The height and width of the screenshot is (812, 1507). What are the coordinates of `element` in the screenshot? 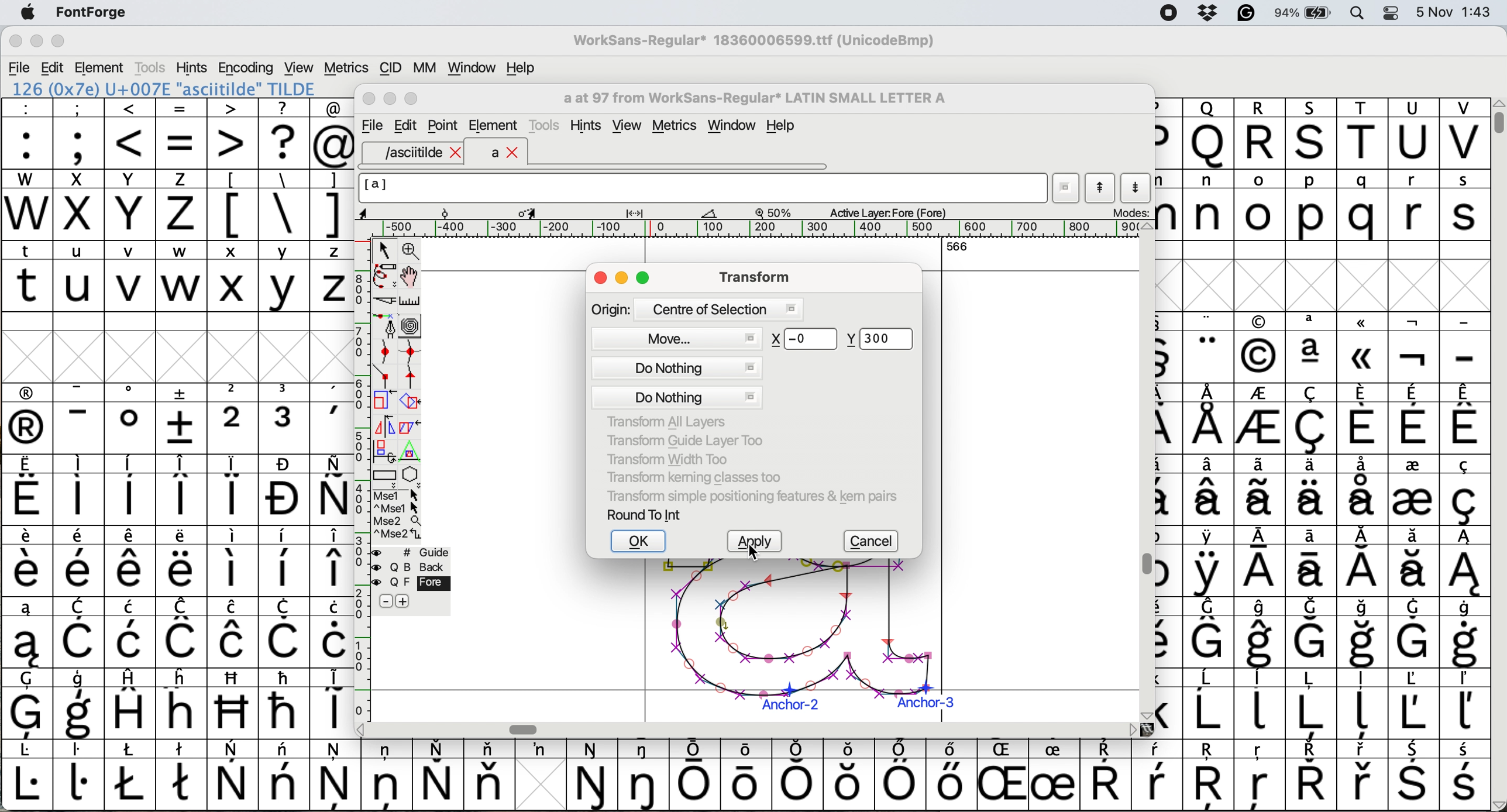 It's located at (101, 67).